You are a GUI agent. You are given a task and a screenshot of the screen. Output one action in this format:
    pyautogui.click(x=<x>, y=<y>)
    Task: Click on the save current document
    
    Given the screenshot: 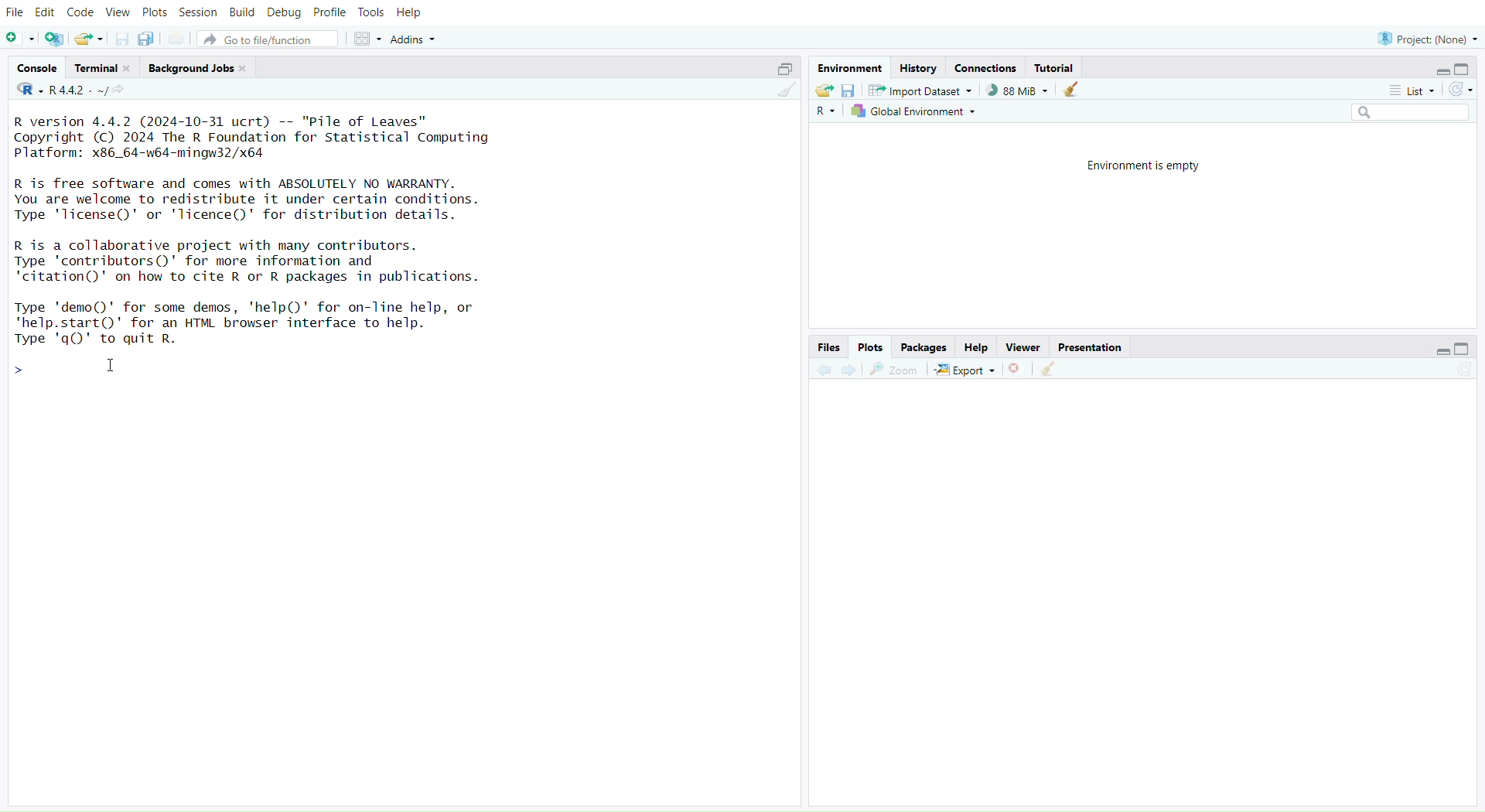 What is the action you would take?
    pyautogui.click(x=121, y=40)
    